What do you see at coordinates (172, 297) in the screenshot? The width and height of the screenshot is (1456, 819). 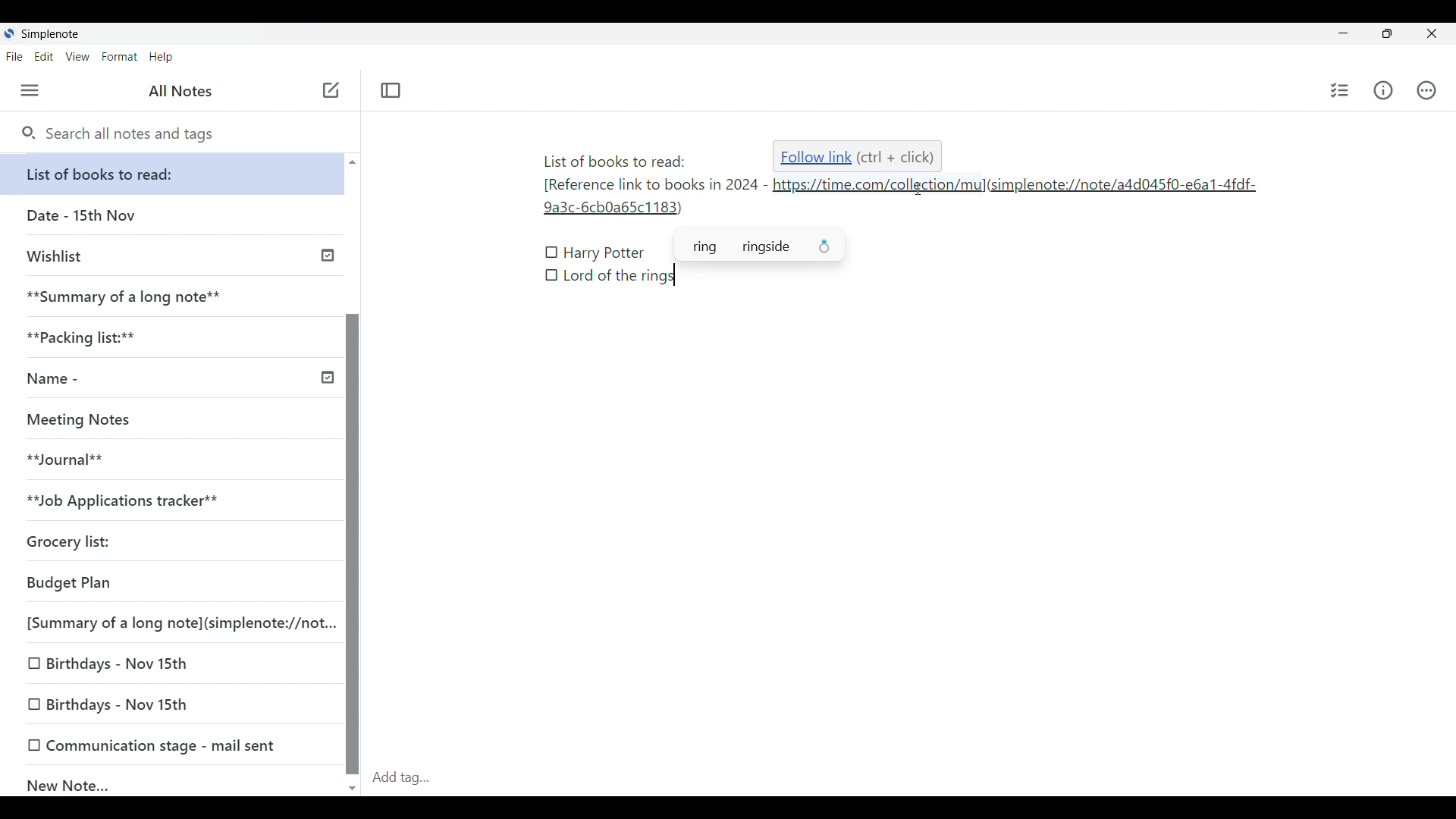 I see `**Summary of a long note**` at bounding box center [172, 297].